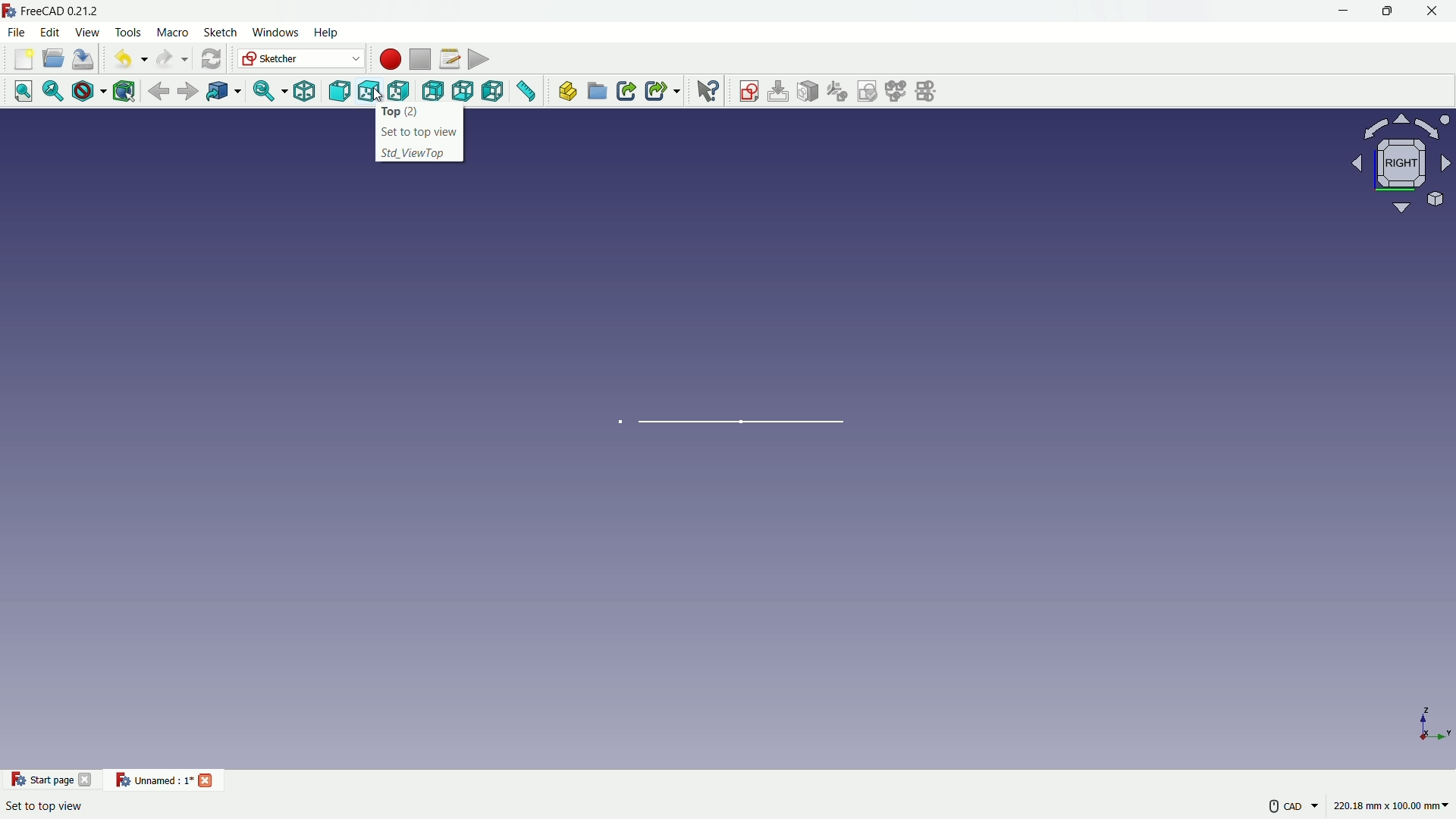 This screenshot has width=1456, height=819. Describe the element at coordinates (398, 92) in the screenshot. I see `right view` at that location.